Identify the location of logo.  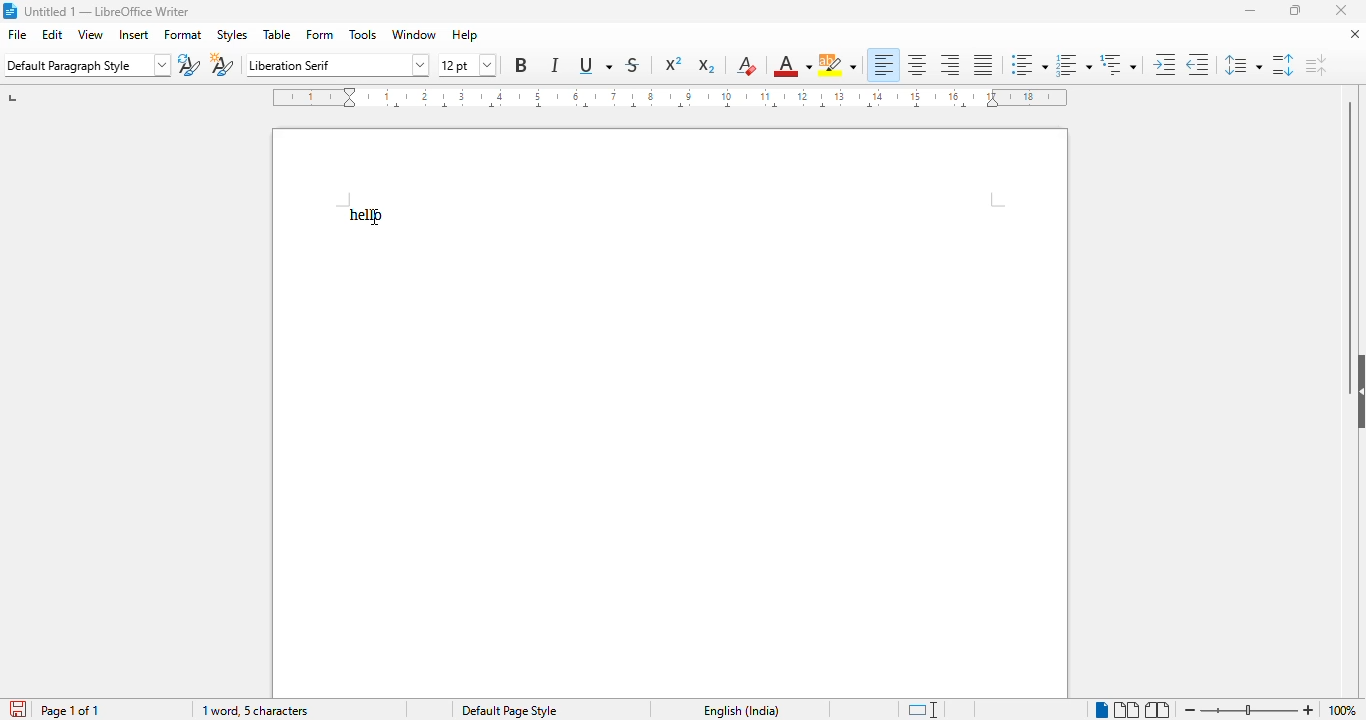
(12, 10).